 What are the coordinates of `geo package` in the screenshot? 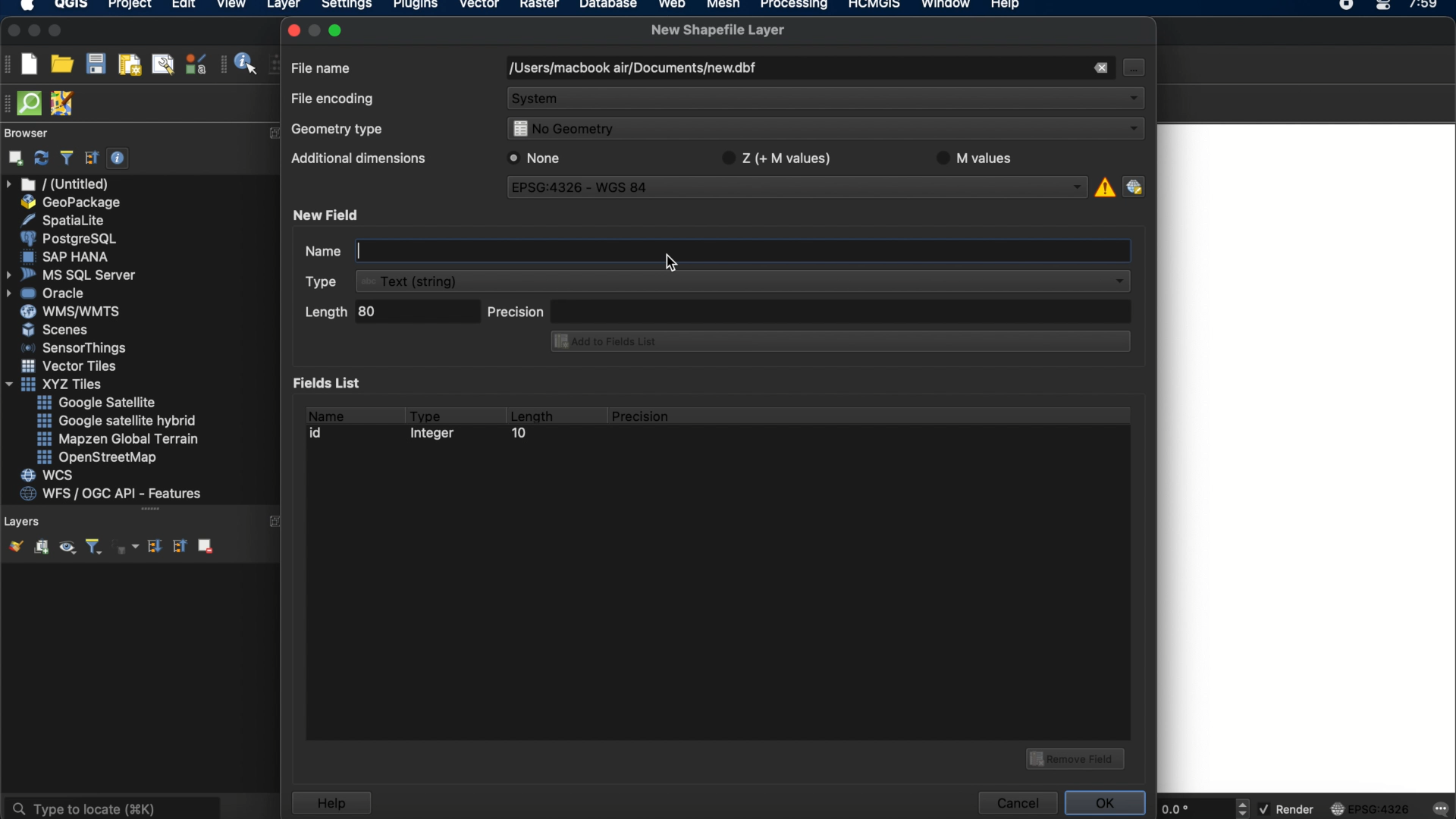 It's located at (69, 202).